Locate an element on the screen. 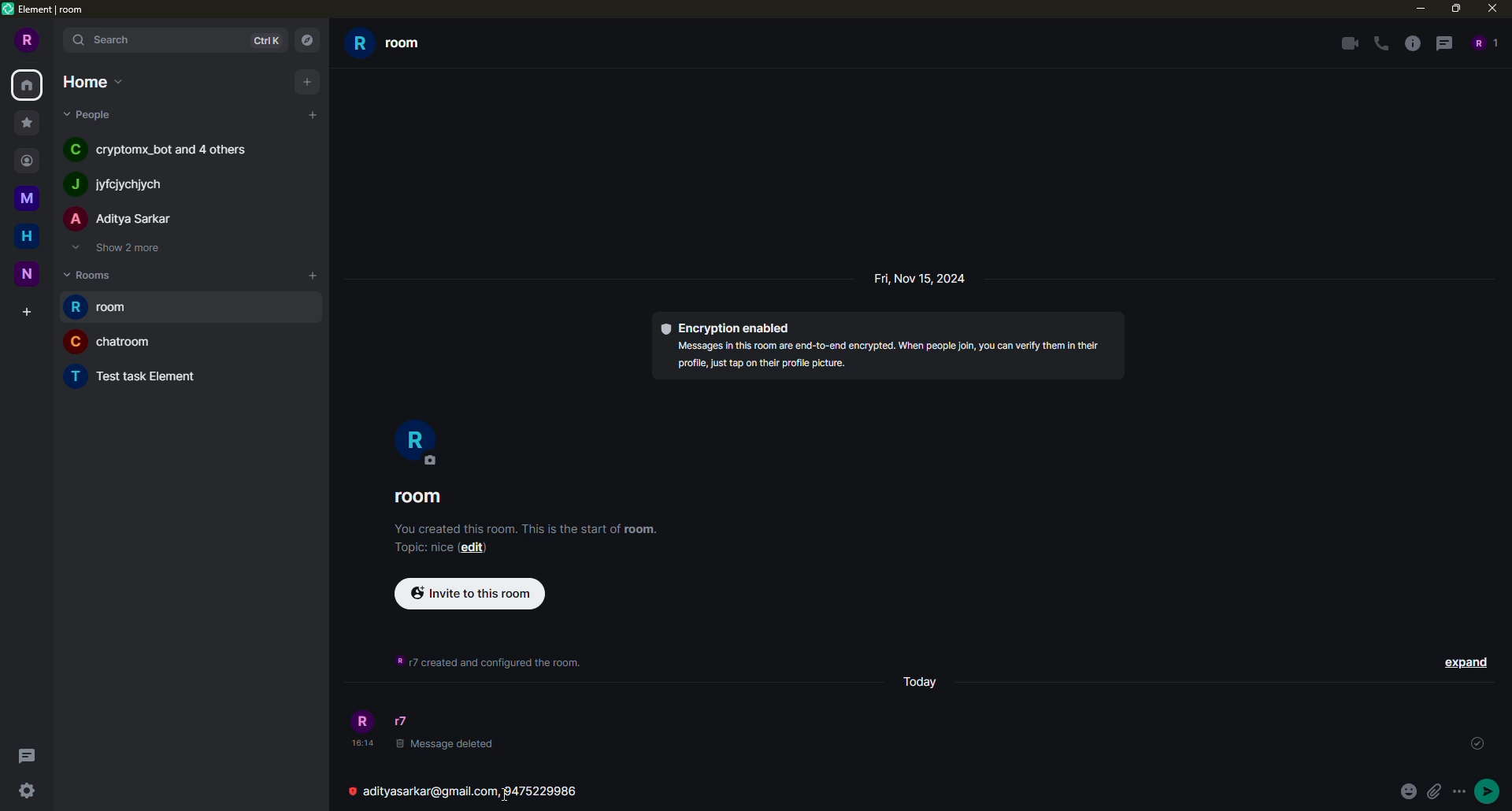  ctrlK is located at coordinates (265, 41).